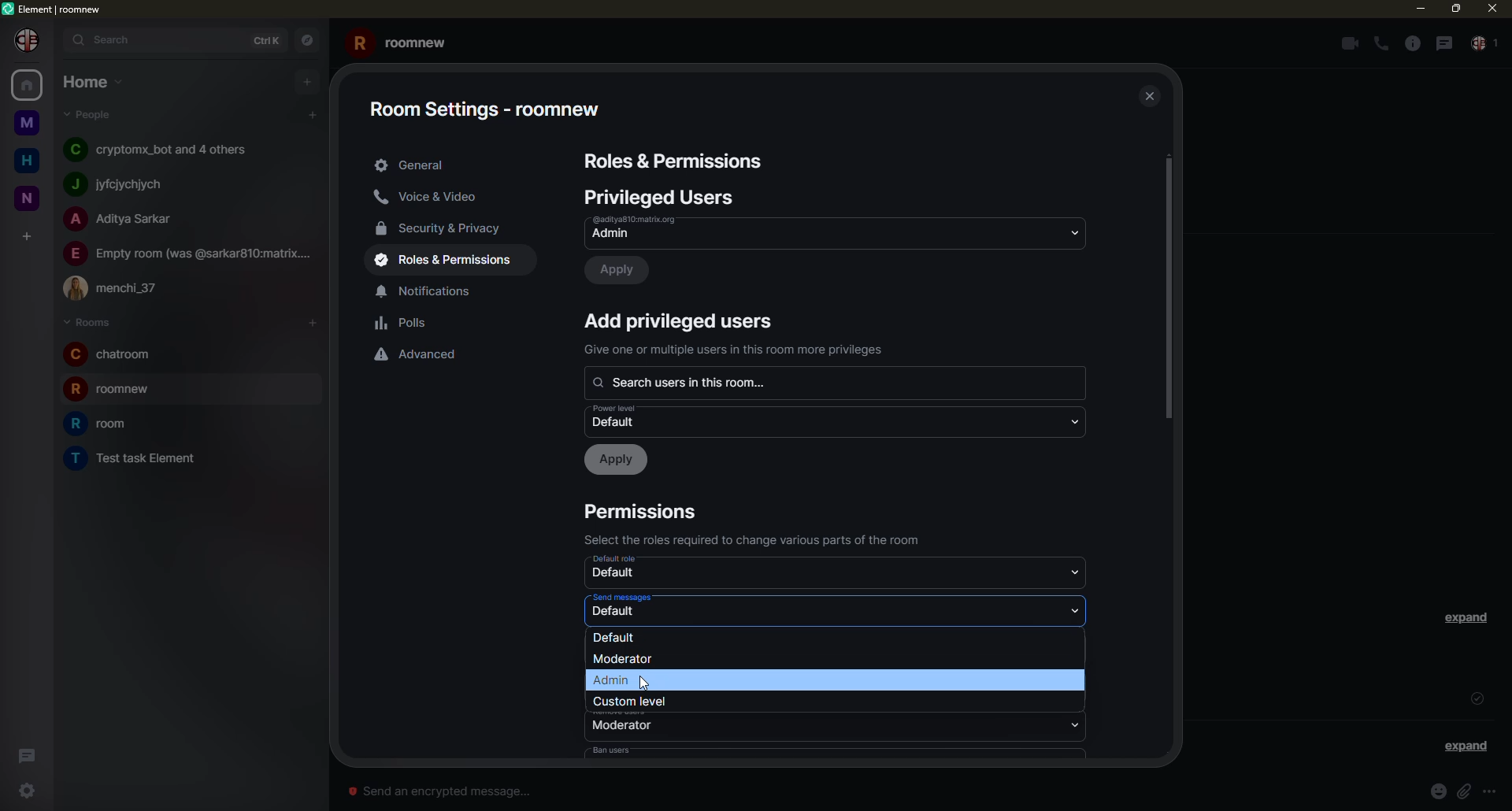 This screenshot has height=811, width=1512. I want to click on attach, so click(1467, 791).